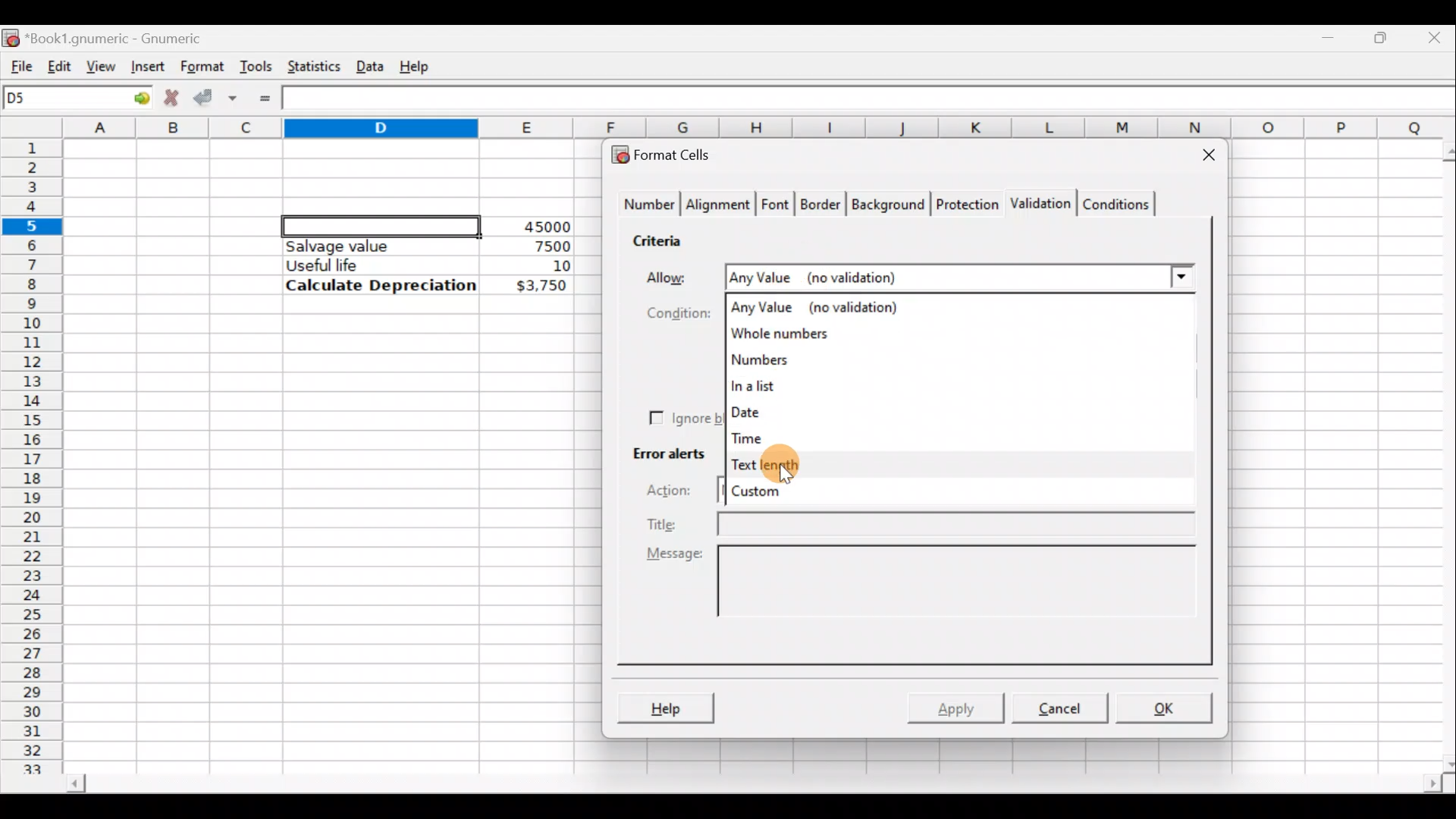  What do you see at coordinates (215, 96) in the screenshot?
I see `Accept change` at bounding box center [215, 96].